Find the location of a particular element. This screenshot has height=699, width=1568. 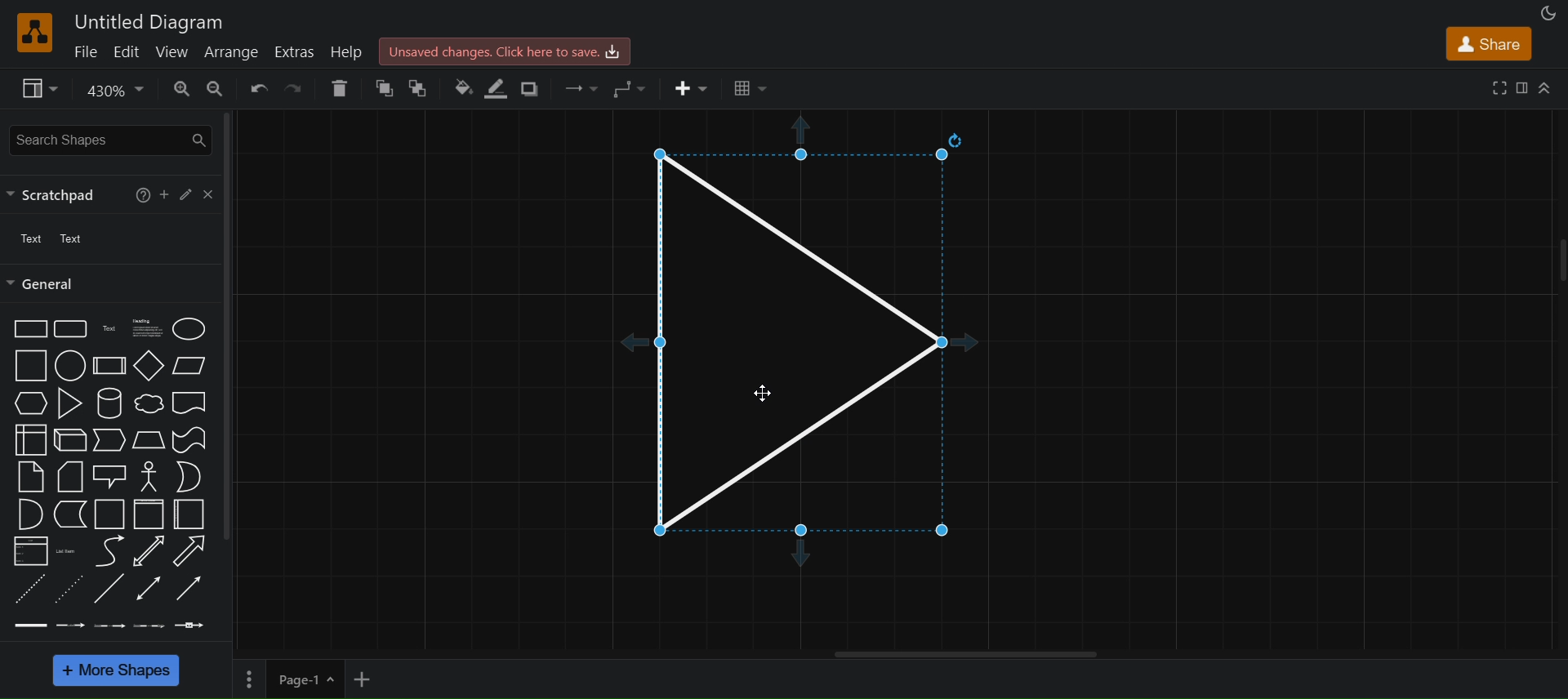

close is located at coordinates (207, 193).